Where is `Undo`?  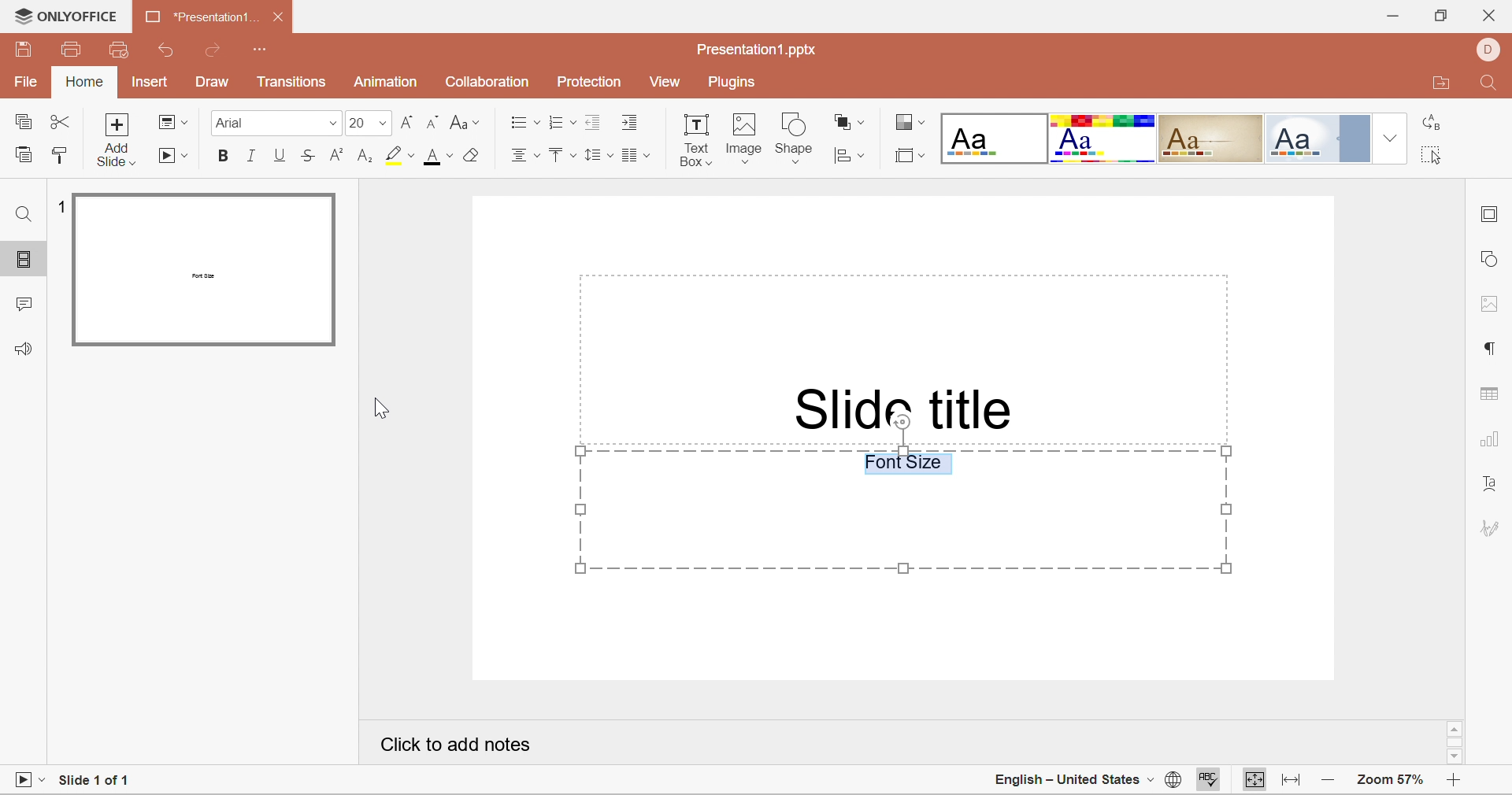
Undo is located at coordinates (171, 52).